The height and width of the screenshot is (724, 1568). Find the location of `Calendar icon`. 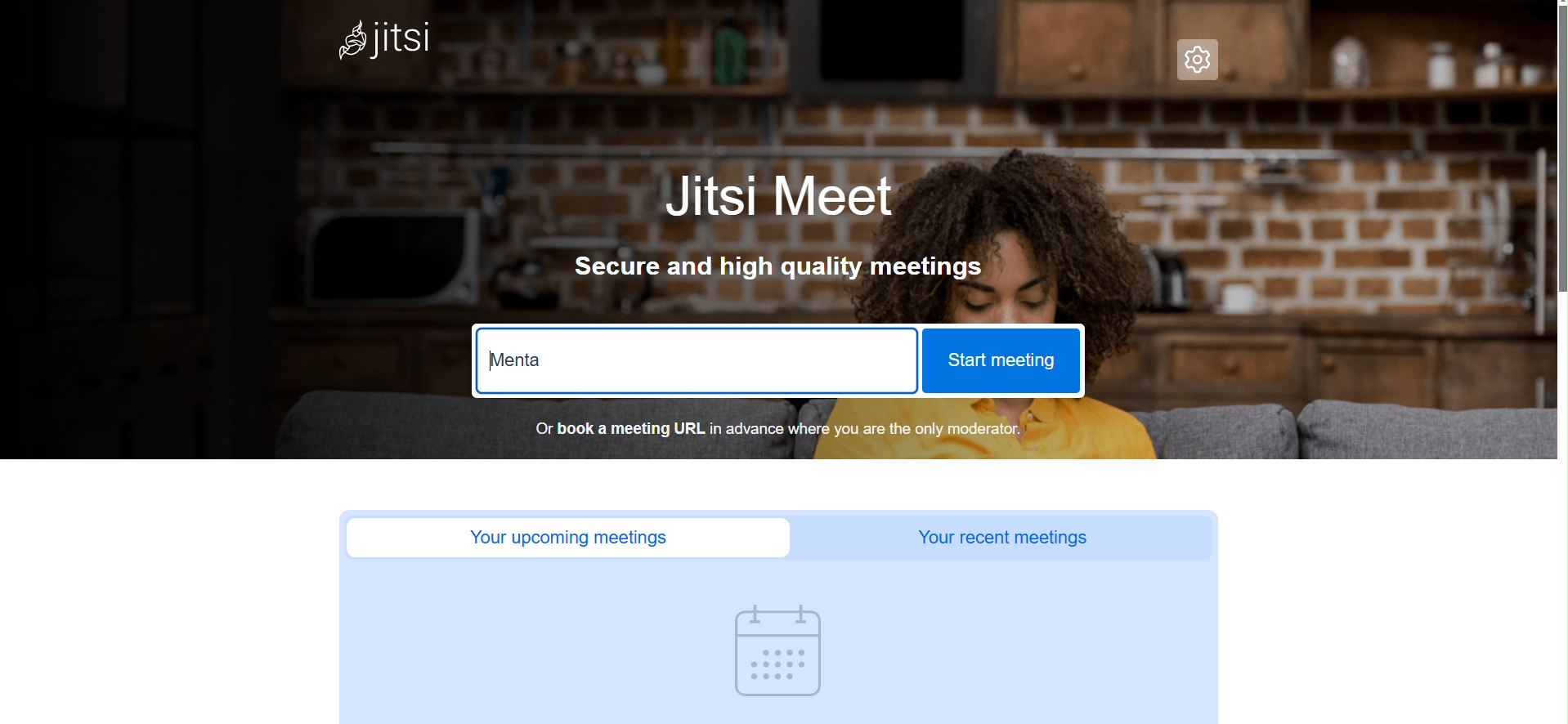

Calendar icon is located at coordinates (783, 652).